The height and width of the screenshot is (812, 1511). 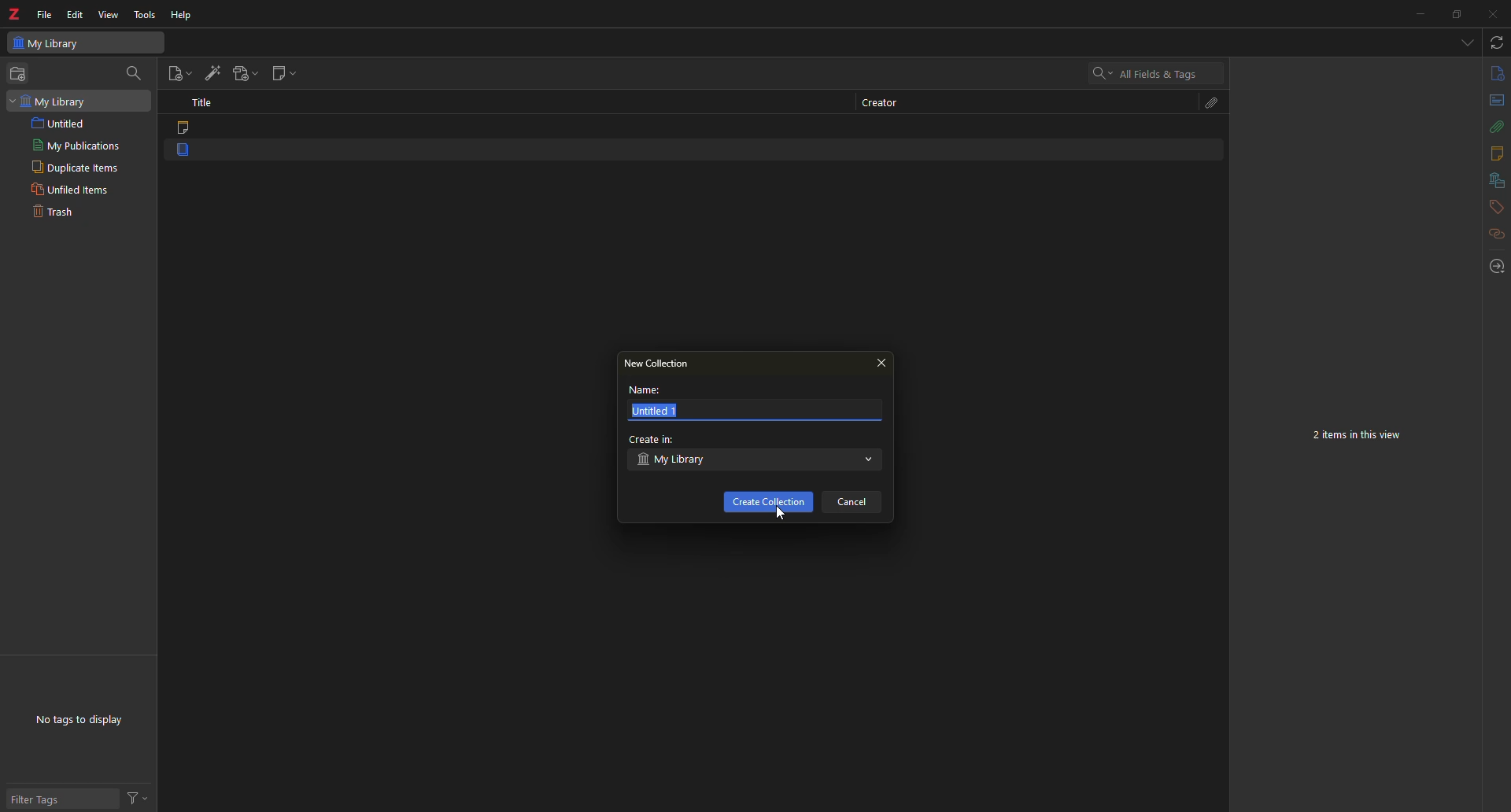 What do you see at coordinates (72, 188) in the screenshot?
I see `unfiled items` at bounding box center [72, 188].